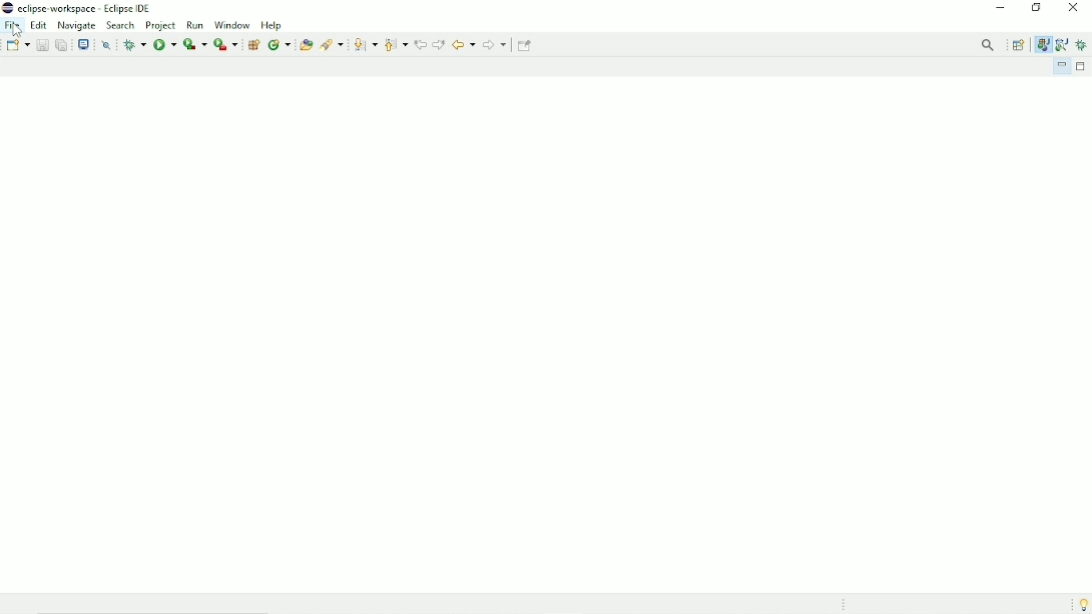 This screenshot has height=614, width=1092. What do you see at coordinates (120, 26) in the screenshot?
I see `Search` at bounding box center [120, 26].